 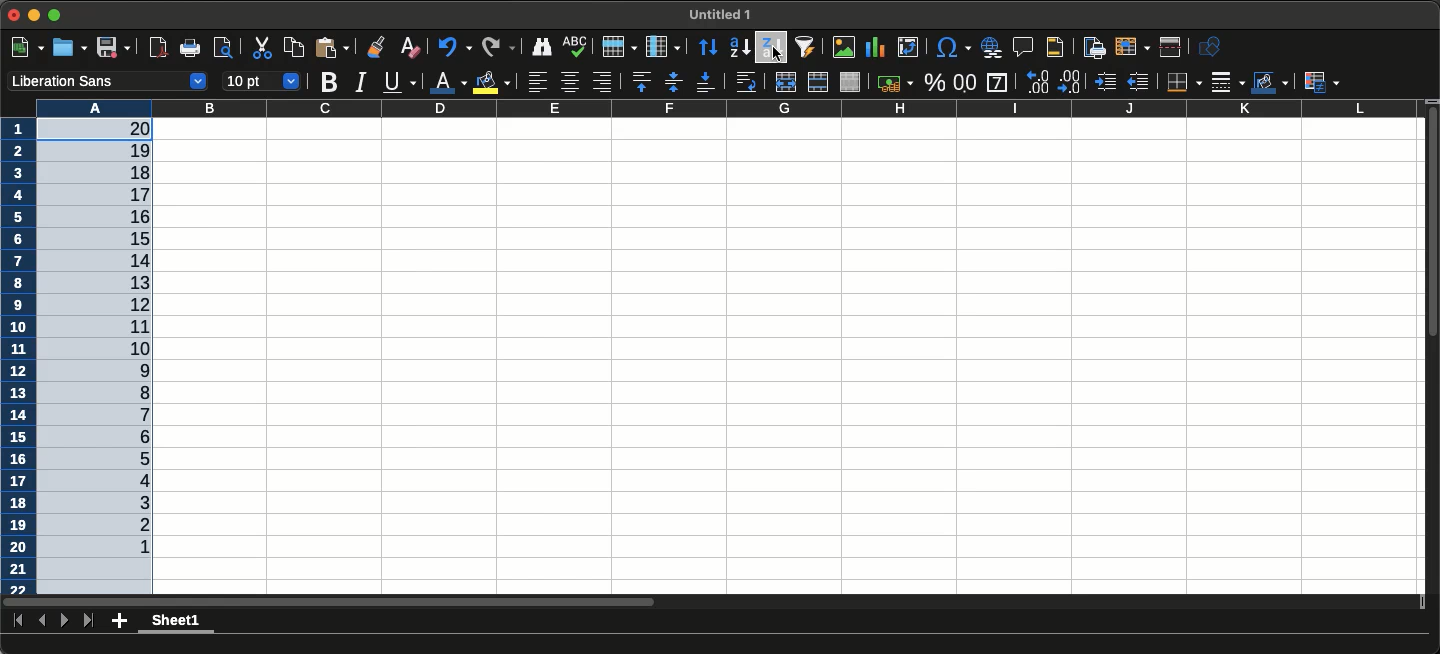 What do you see at coordinates (639, 81) in the screenshot?
I see `Align top` at bounding box center [639, 81].